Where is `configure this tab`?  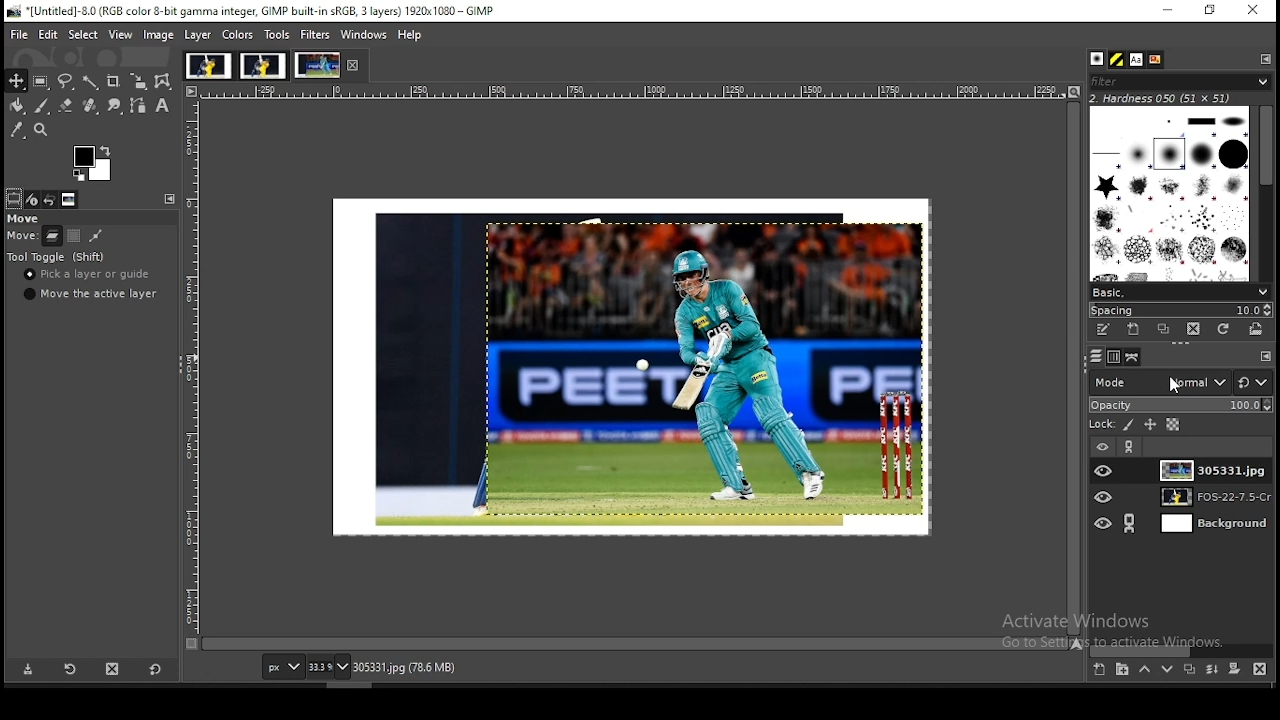
configure this tab is located at coordinates (170, 198).